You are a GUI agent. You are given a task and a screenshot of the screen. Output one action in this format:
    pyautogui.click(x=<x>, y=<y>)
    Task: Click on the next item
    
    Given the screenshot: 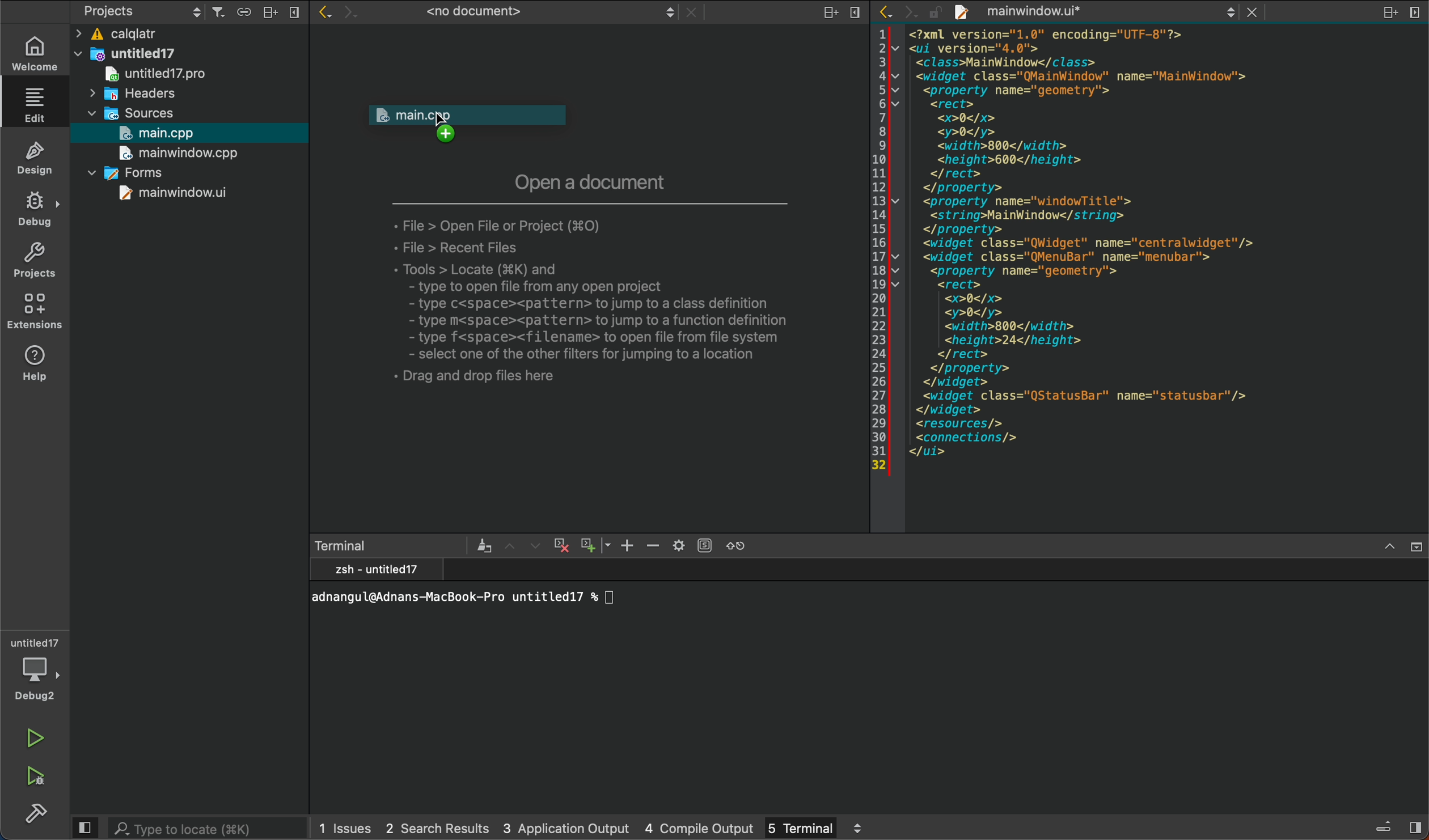 What is the action you would take?
    pyautogui.click(x=534, y=545)
    